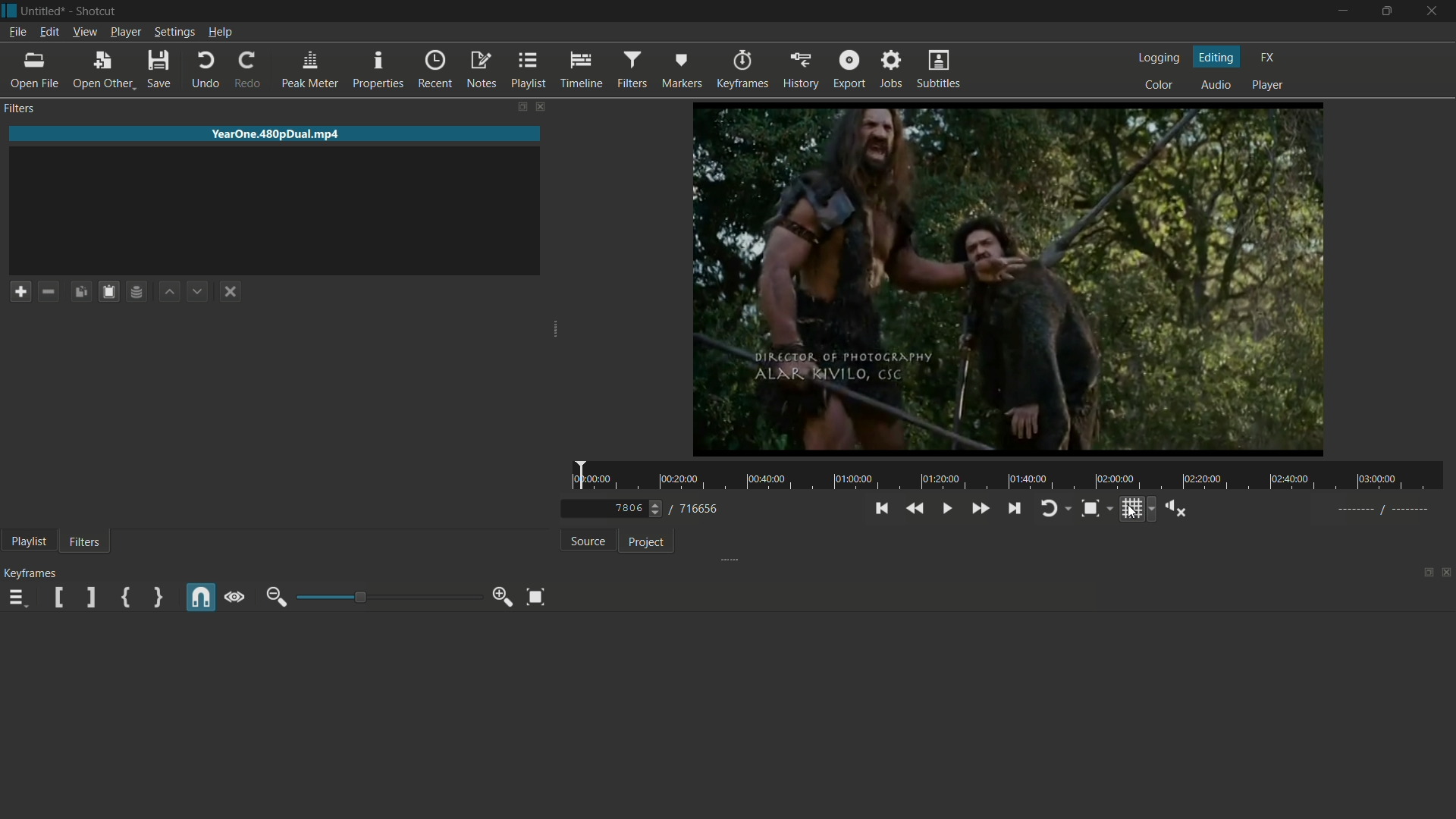 The height and width of the screenshot is (819, 1456). I want to click on save filter set, so click(137, 291).